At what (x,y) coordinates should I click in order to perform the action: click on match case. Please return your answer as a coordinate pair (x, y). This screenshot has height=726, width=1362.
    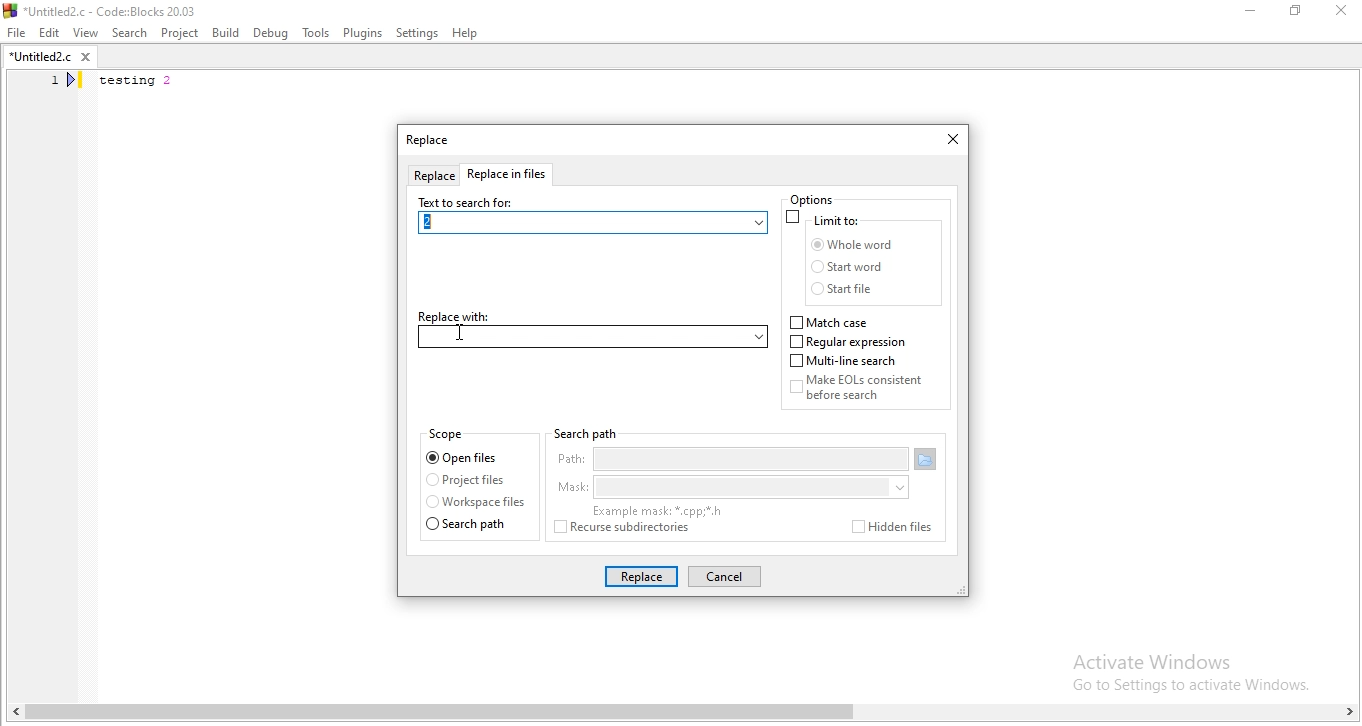
    Looking at the image, I should click on (832, 321).